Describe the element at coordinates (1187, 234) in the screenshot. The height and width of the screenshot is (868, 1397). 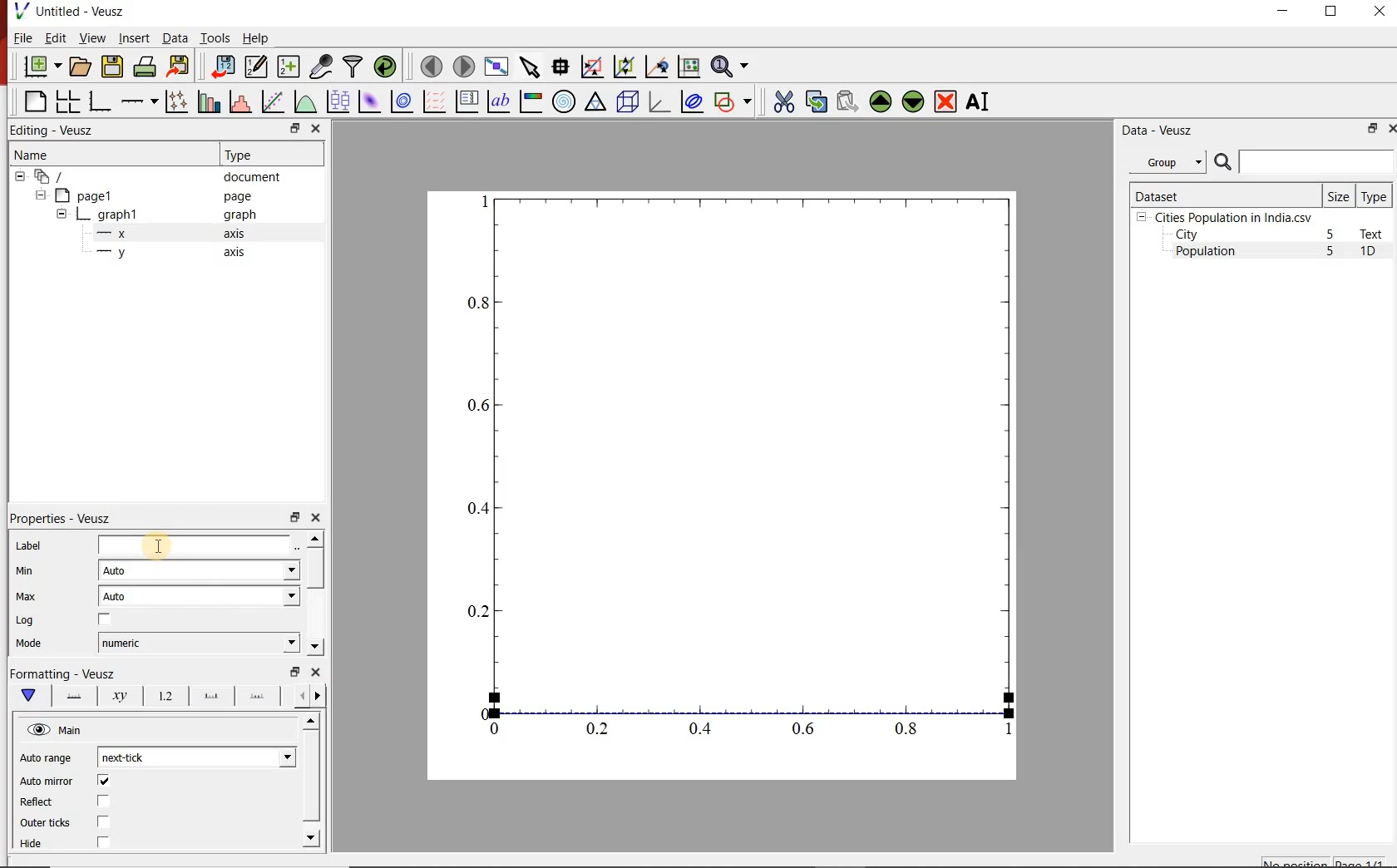
I see `City` at that location.